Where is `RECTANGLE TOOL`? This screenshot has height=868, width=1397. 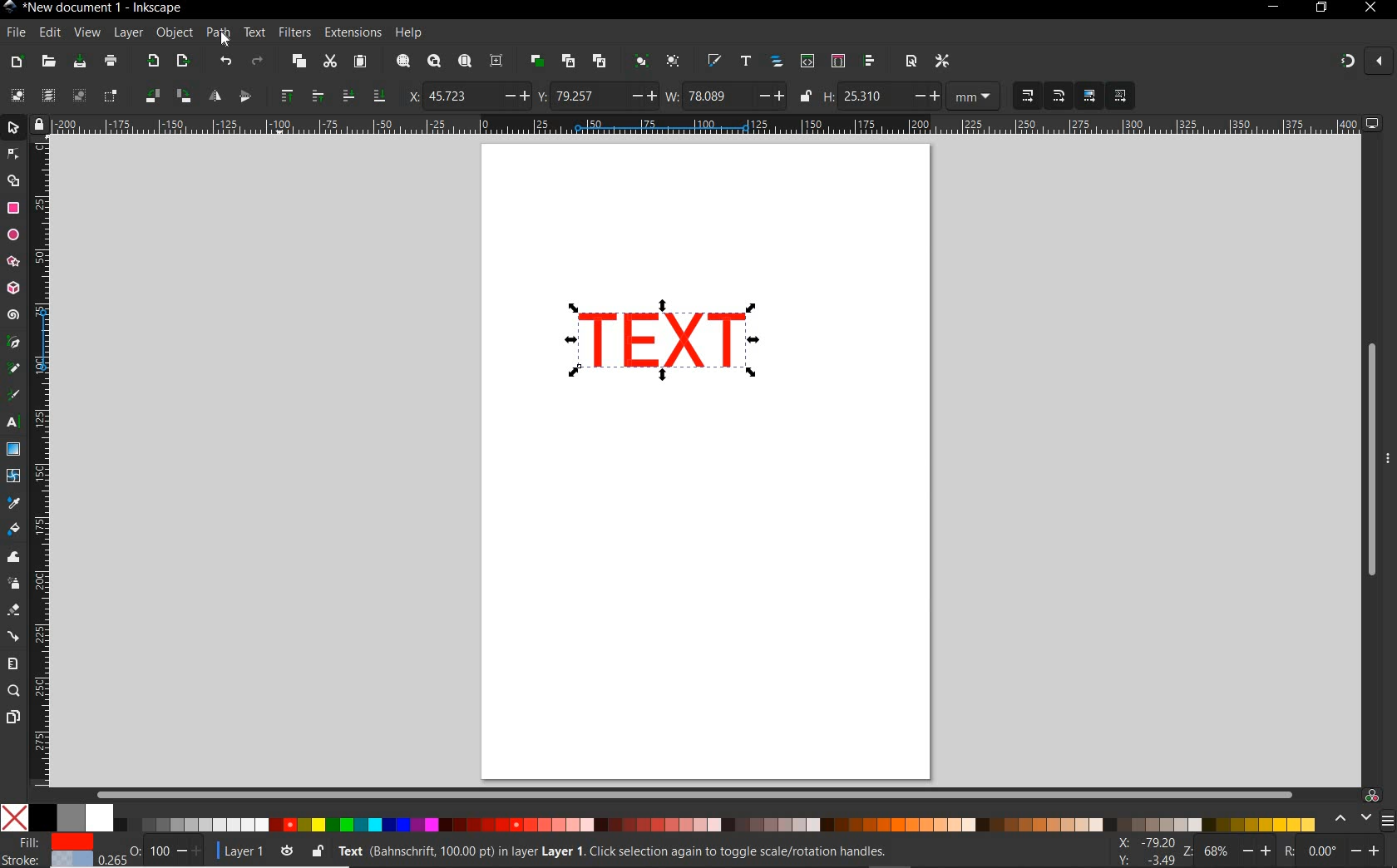 RECTANGLE TOOL is located at coordinates (14, 209).